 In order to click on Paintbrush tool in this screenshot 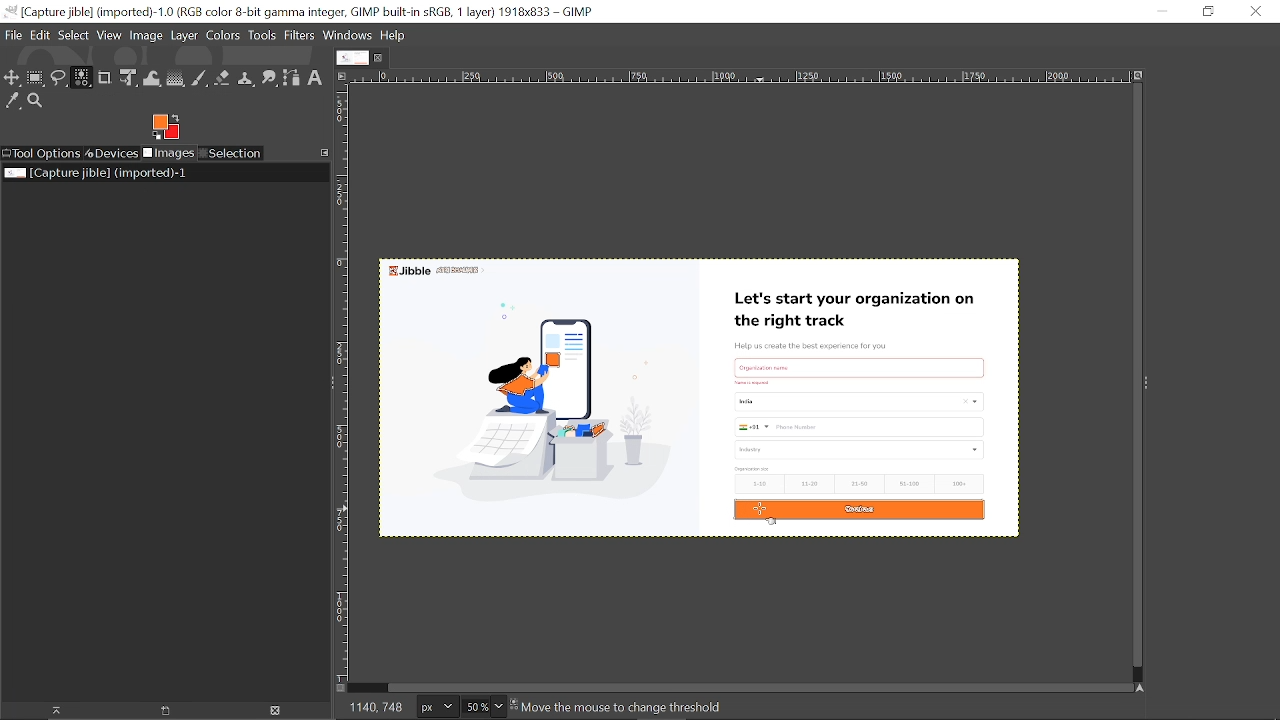, I will do `click(200, 79)`.